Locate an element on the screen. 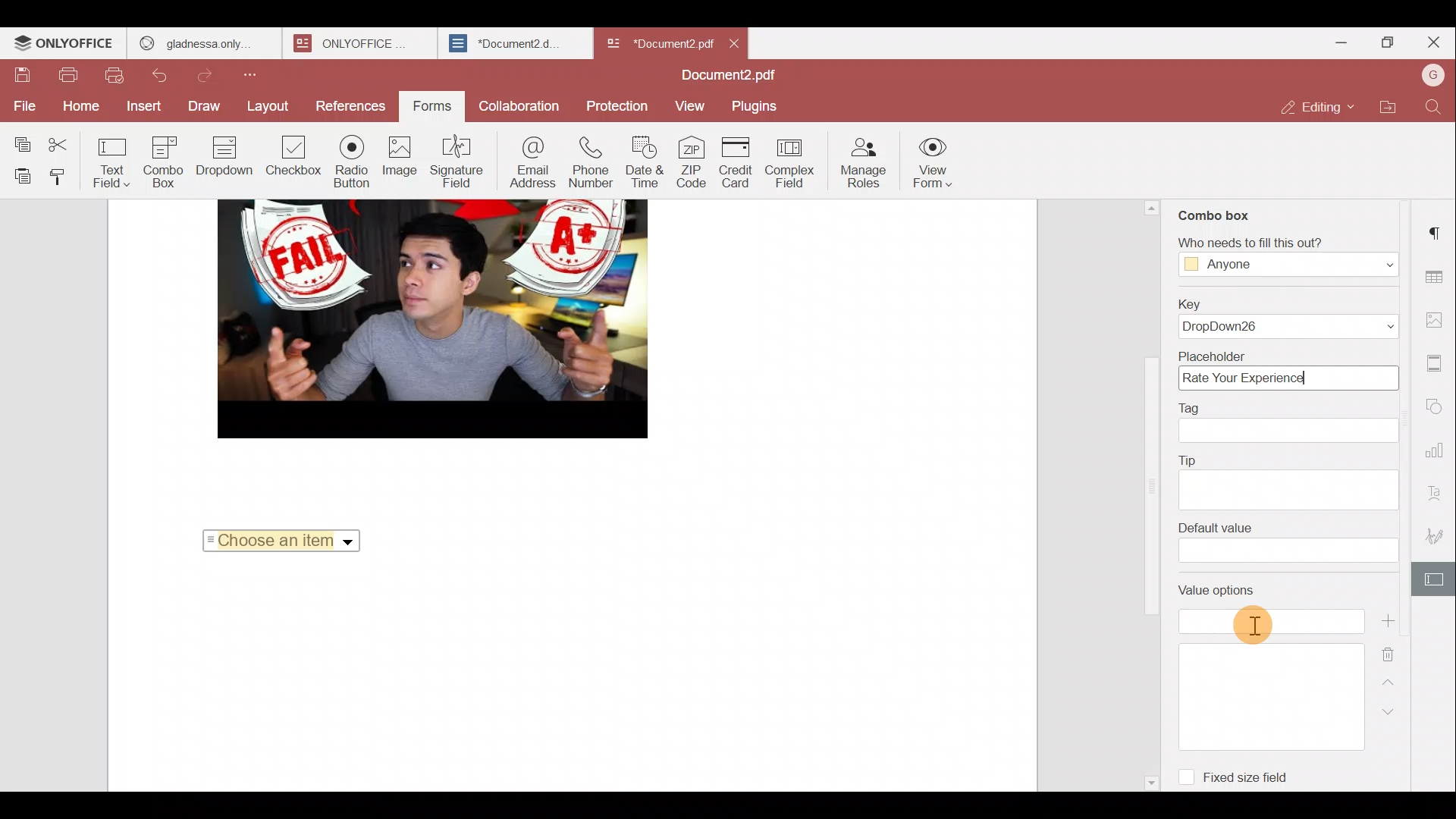  Protection is located at coordinates (616, 103).